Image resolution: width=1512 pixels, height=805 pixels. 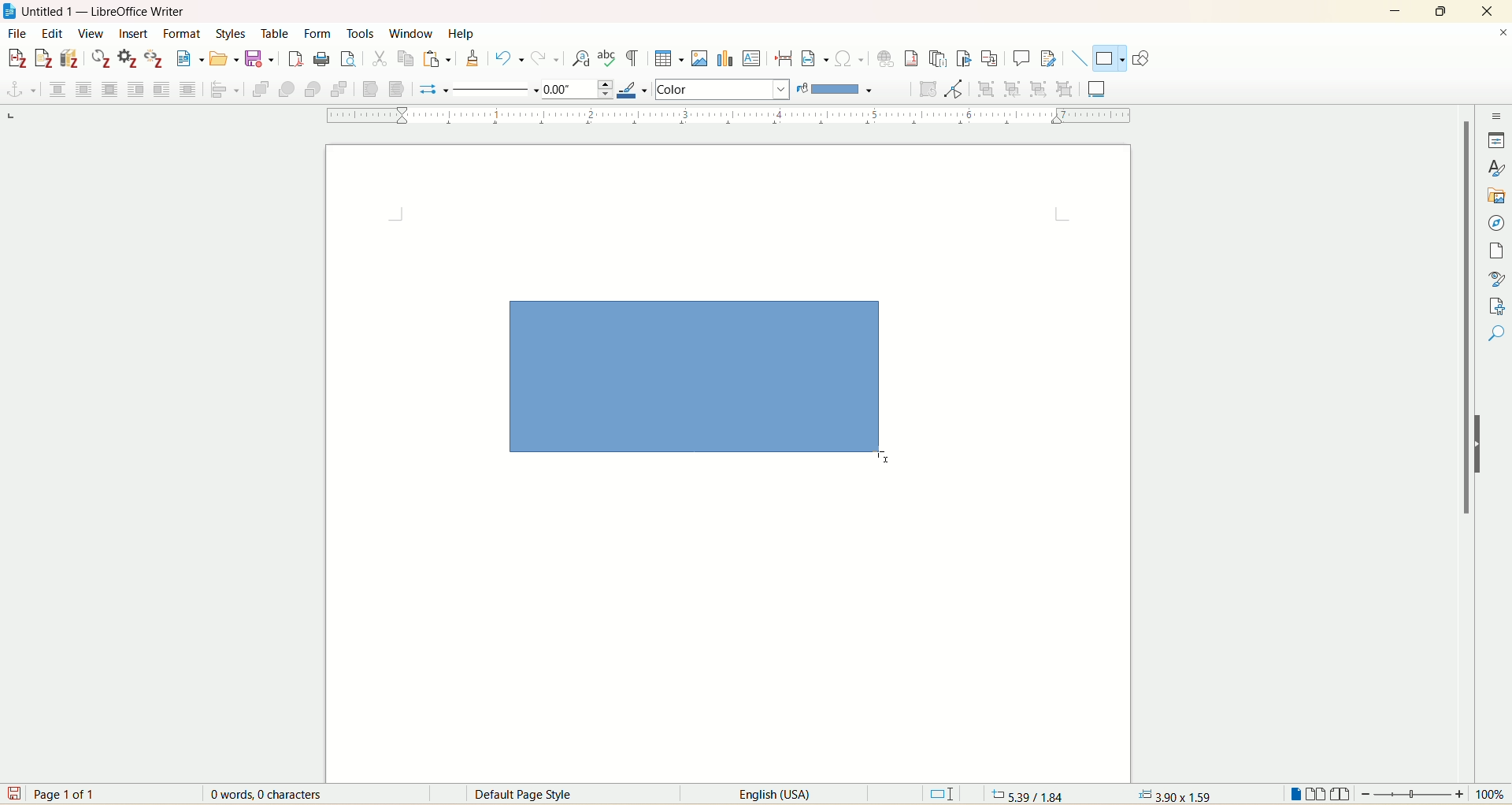 What do you see at coordinates (86, 88) in the screenshot?
I see `parallel` at bounding box center [86, 88].